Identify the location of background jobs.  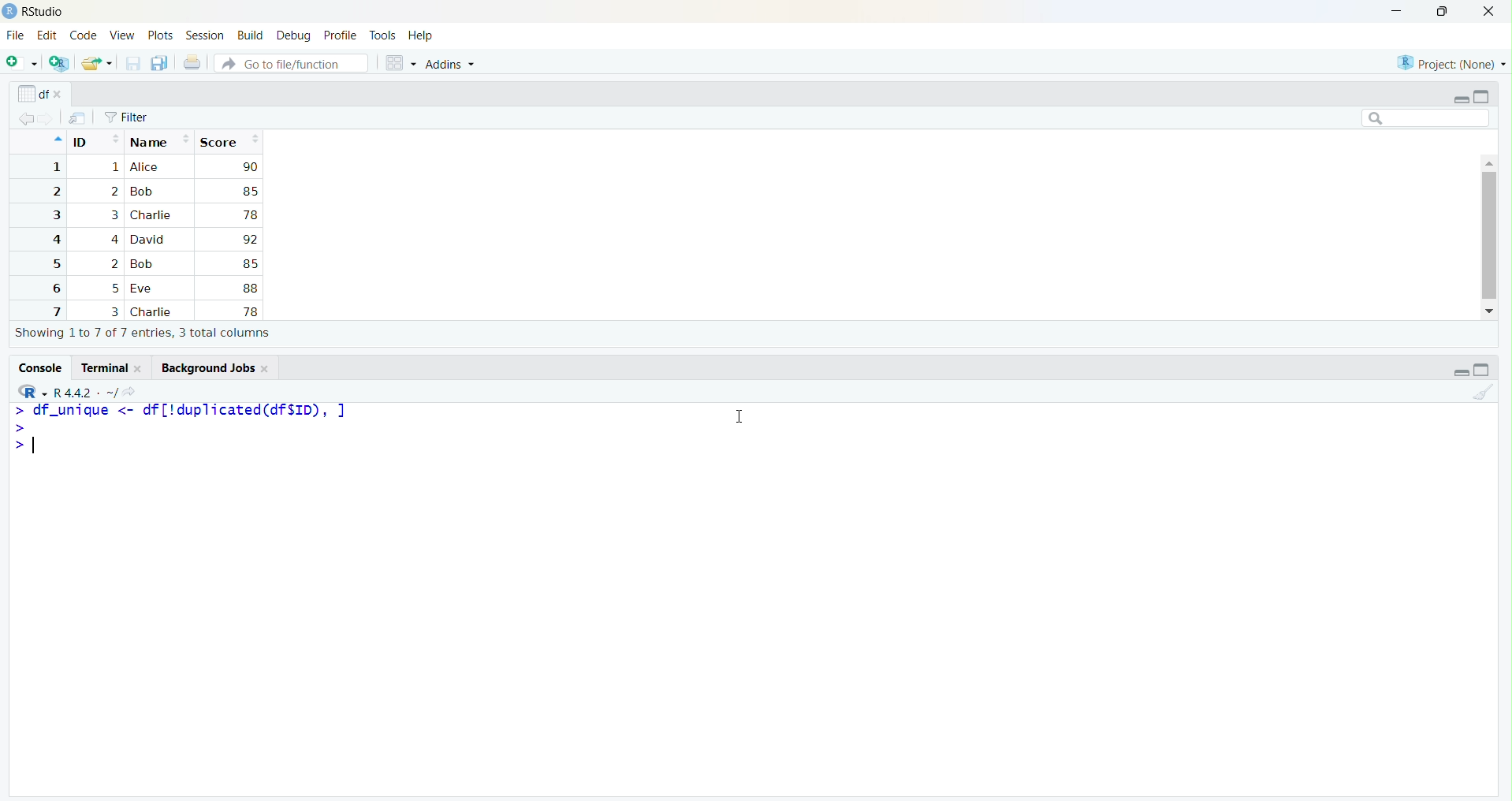
(204, 367).